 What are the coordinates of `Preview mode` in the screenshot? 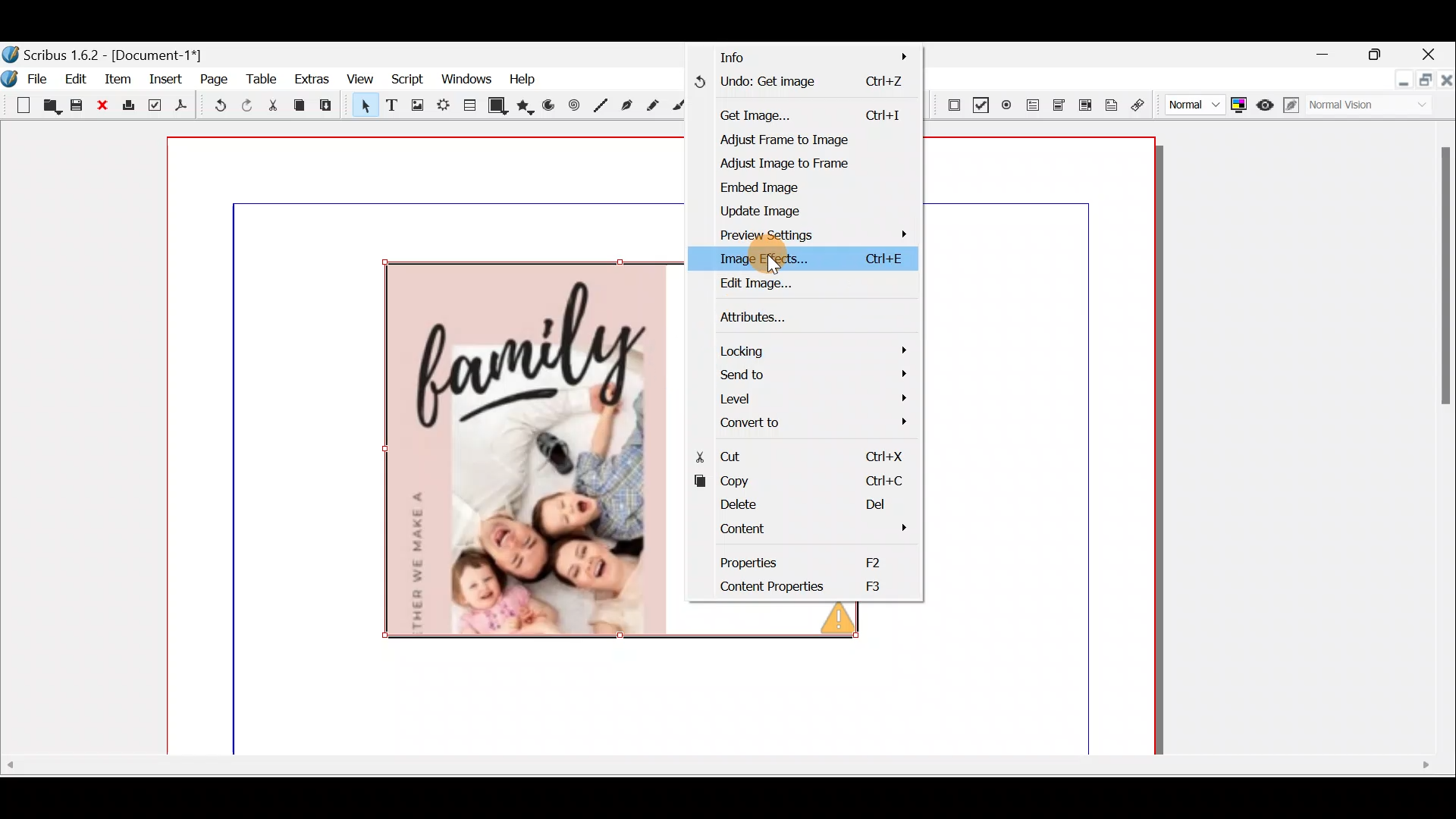 It's located at (1267, 103).